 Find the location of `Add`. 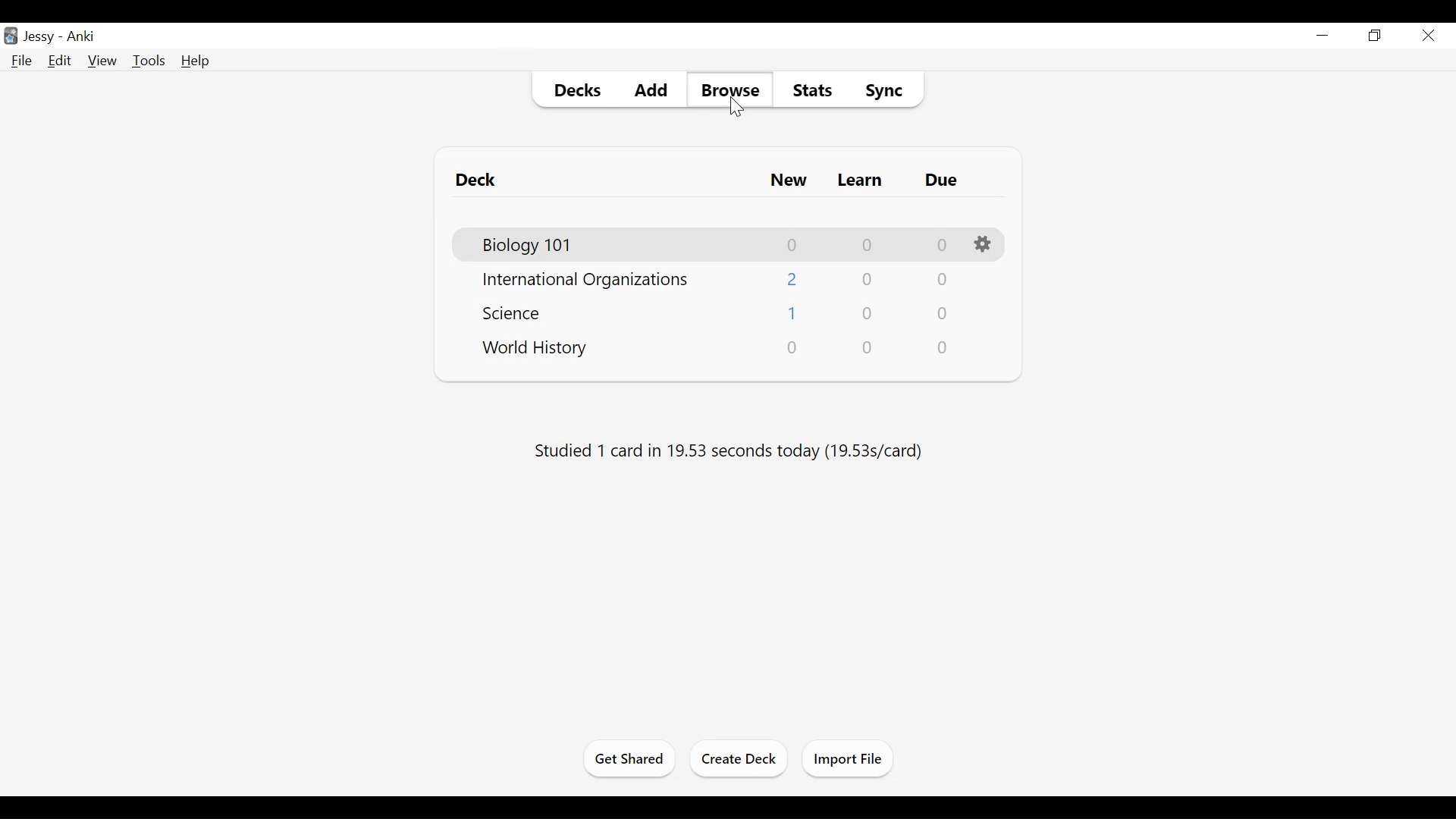

Add is located at coordinates (651, 89).